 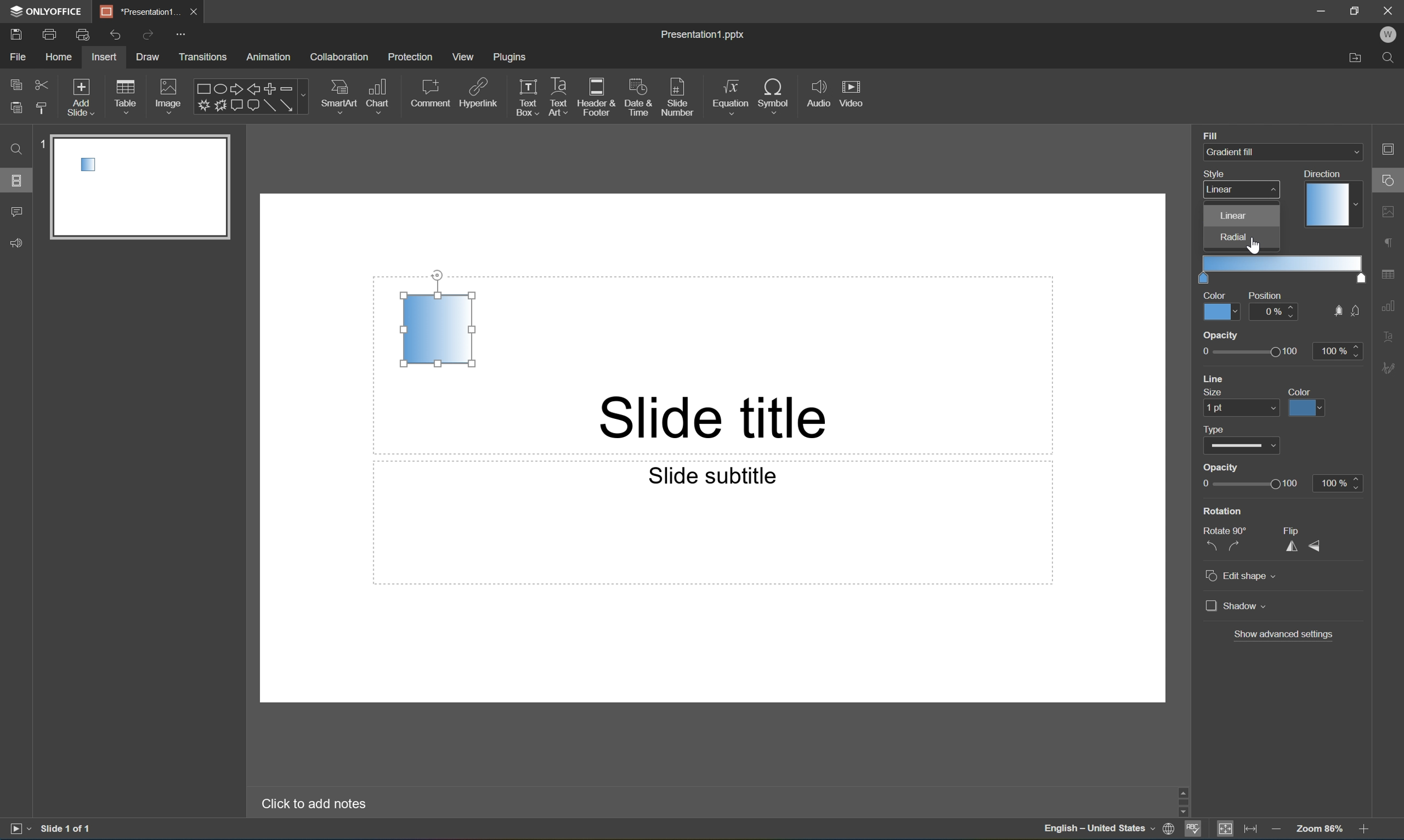 I want to click on linear, so click(x=1240, y=190).